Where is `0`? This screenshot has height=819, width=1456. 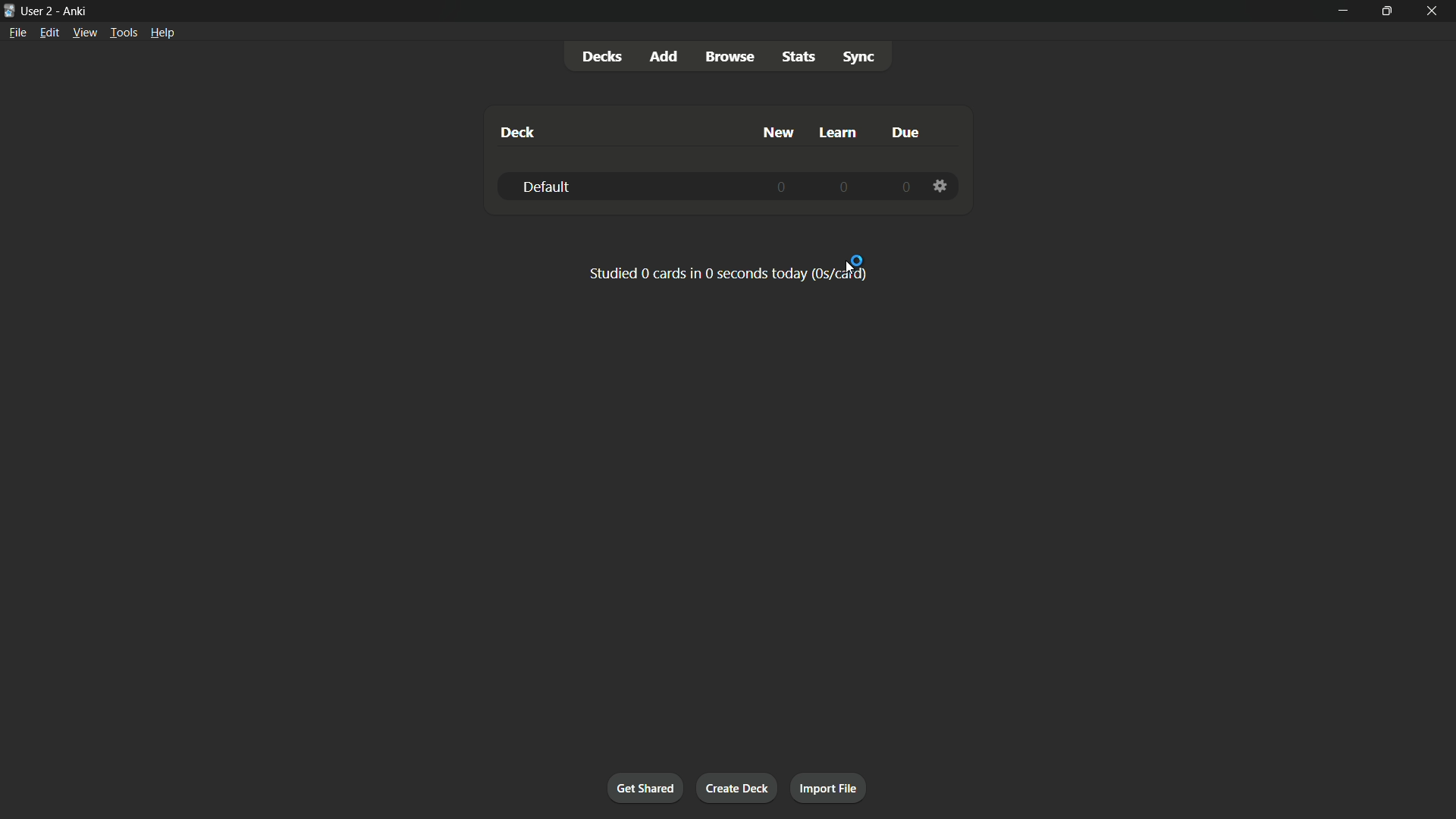 0 is located at coordinates (783, 185).